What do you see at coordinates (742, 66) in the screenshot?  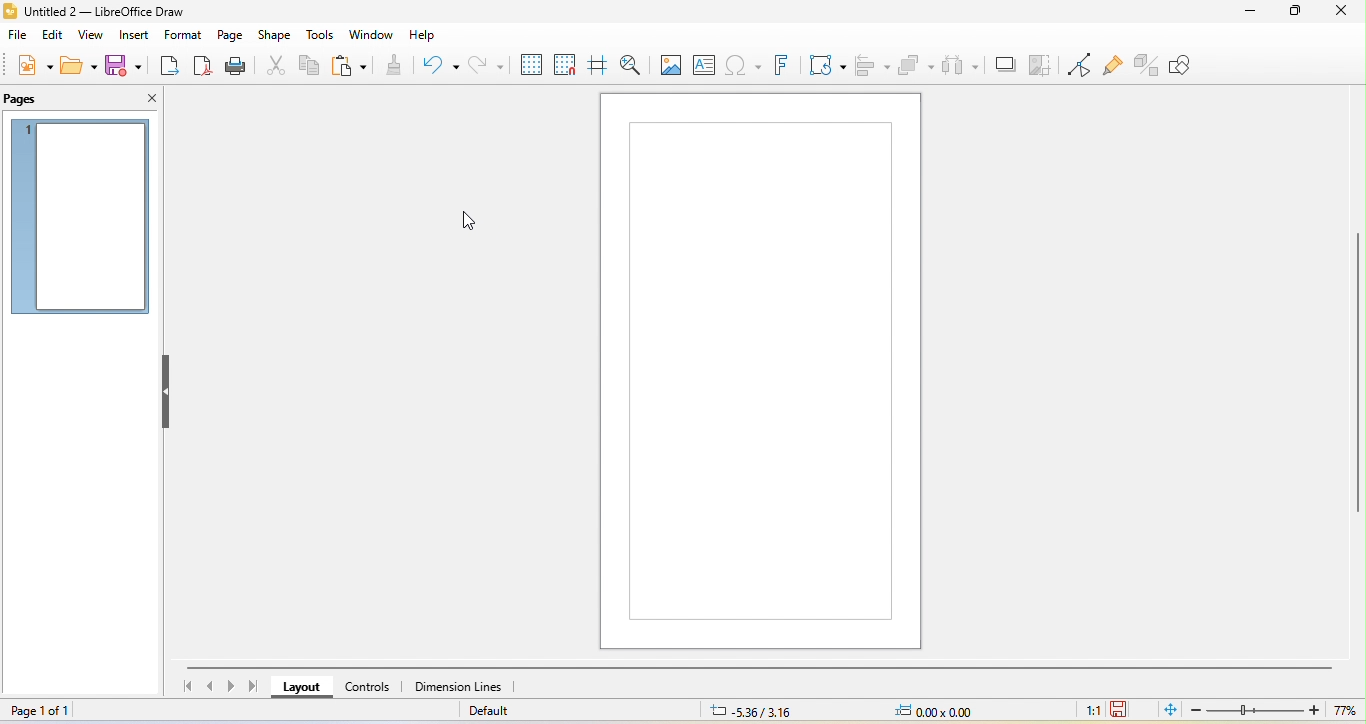 I see `special character` at bounding box center [742, 66].